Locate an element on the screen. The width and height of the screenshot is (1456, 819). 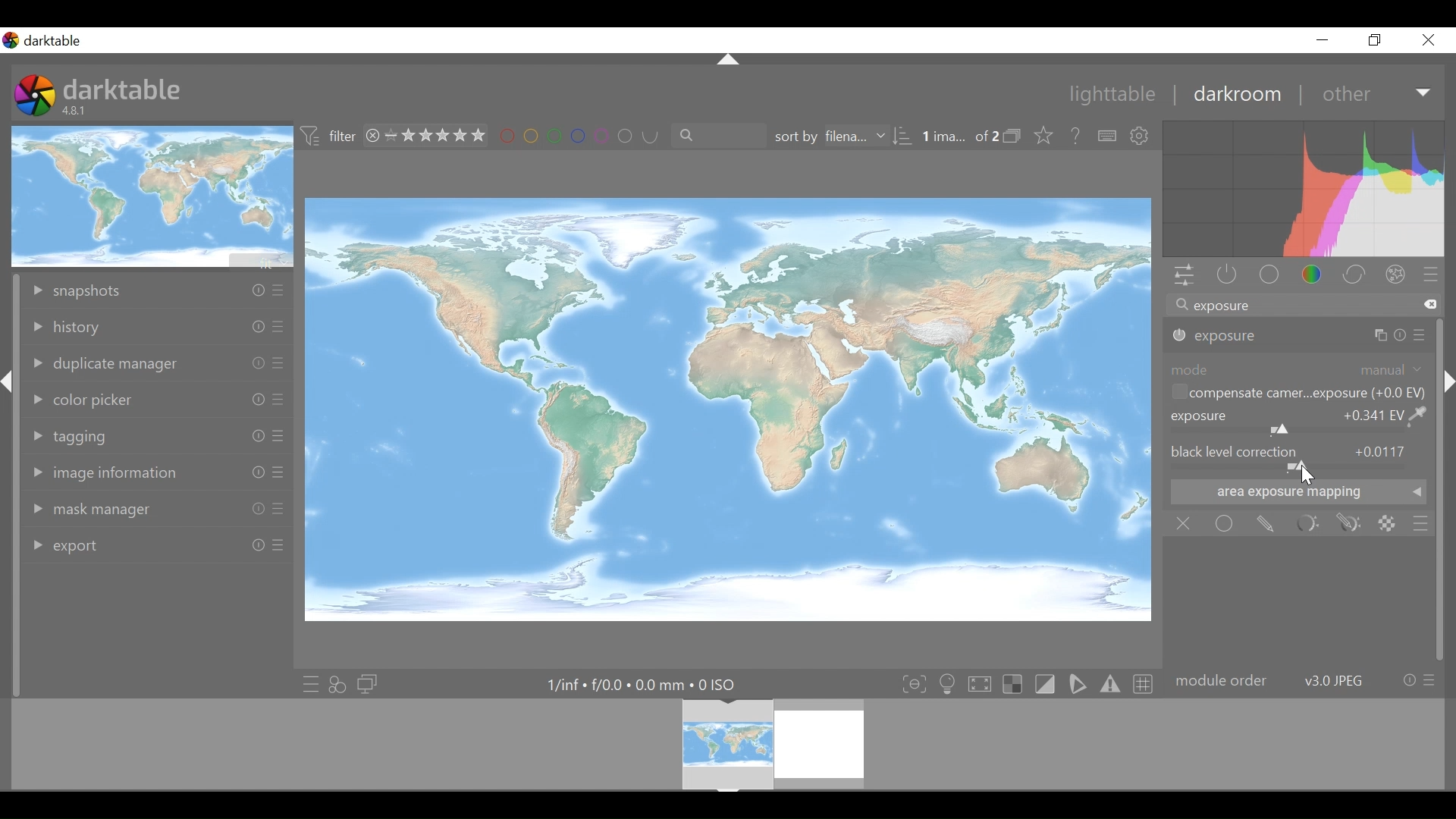
collapse grouped image is located at coordinates (1014, 136).